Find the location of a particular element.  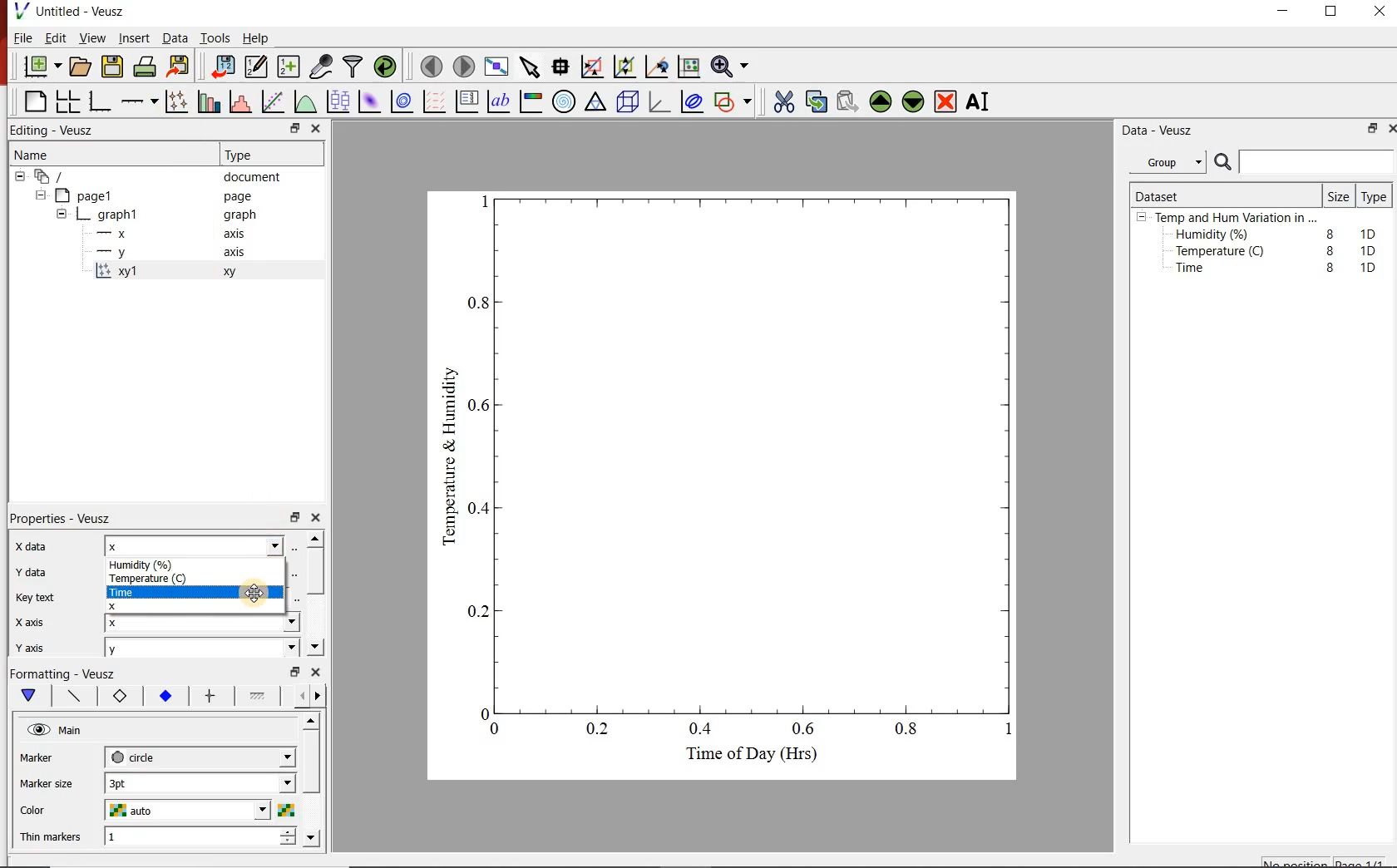

Fit a function to data is located at coordinates (274, 101).